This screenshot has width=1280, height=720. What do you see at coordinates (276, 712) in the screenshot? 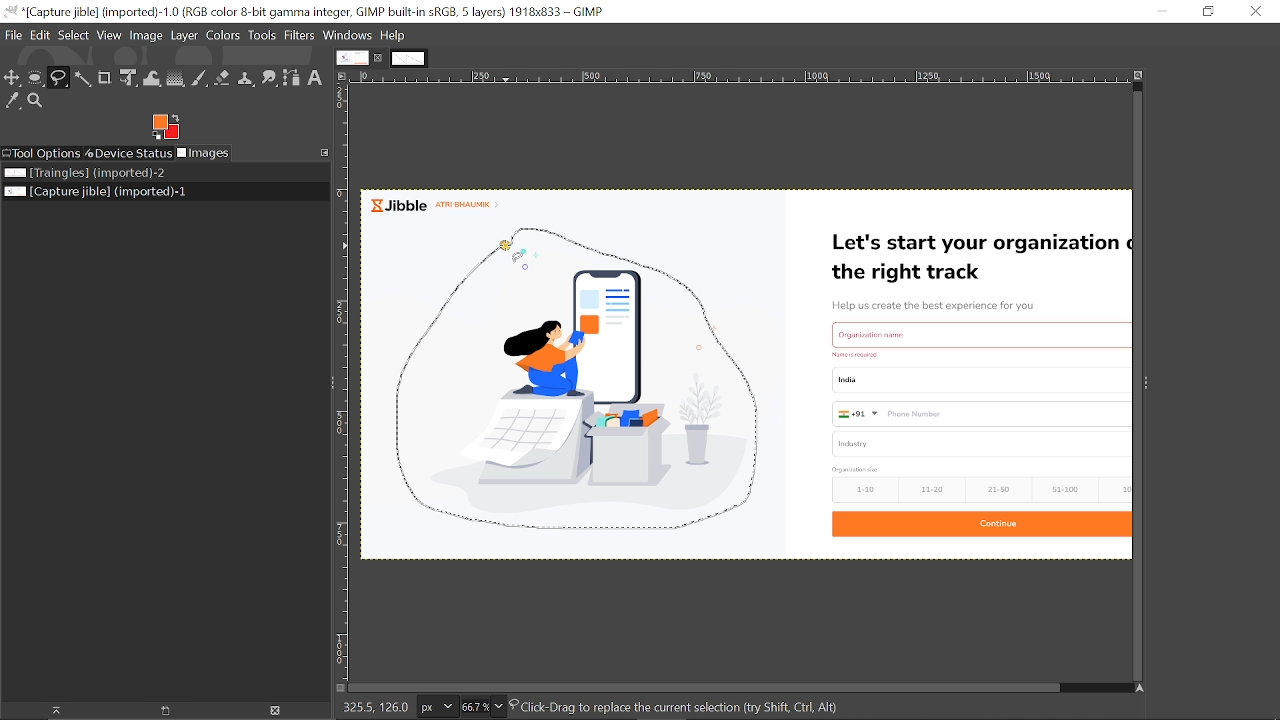
I see `Delete this image` at bounding box center [276, 712].